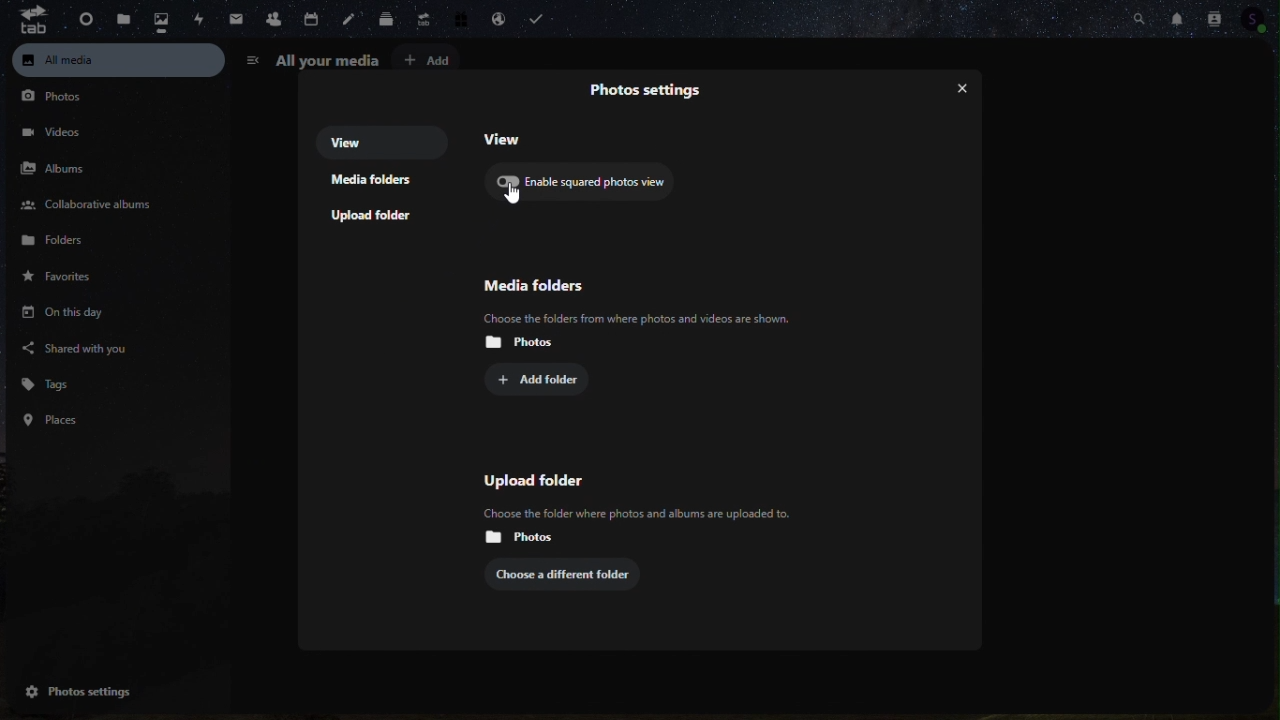  I want to click on places, so click(55, 419).